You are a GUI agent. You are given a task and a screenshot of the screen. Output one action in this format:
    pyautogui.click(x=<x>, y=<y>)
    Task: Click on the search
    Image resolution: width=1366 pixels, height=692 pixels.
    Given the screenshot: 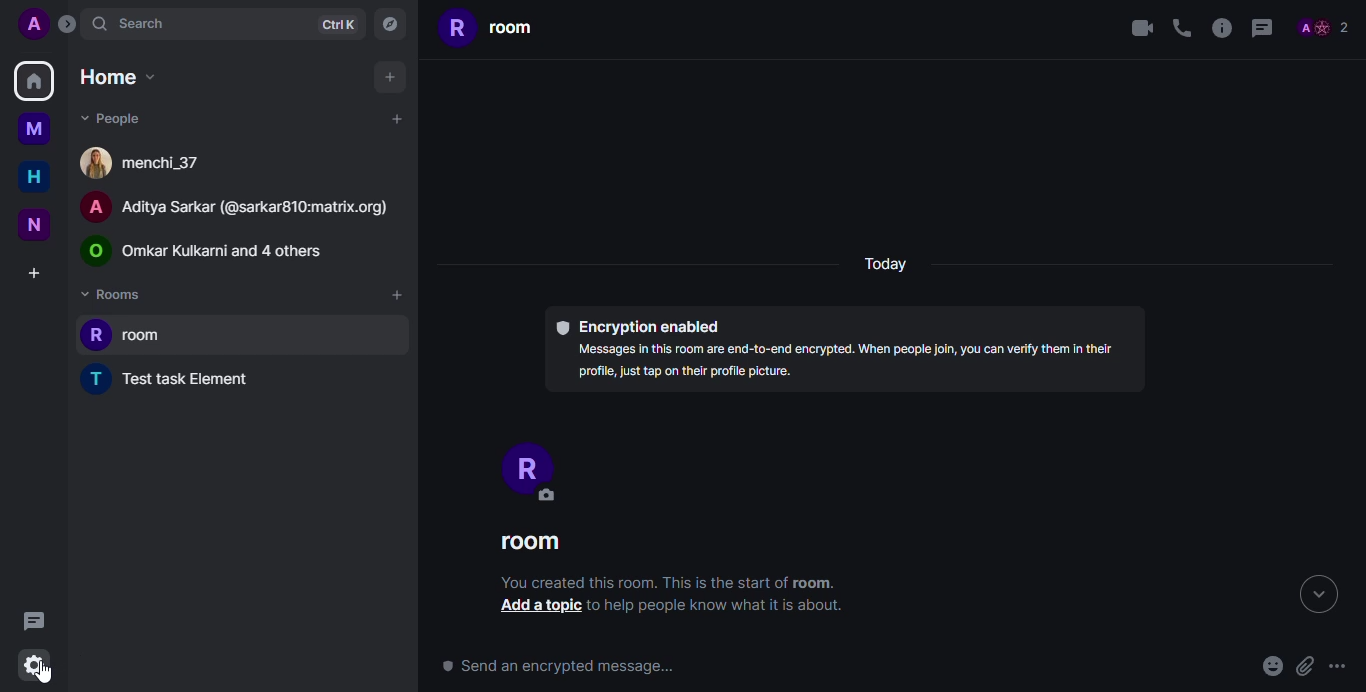 What is the action you would take?
    pyautogui.click(x=136, y=25)
    